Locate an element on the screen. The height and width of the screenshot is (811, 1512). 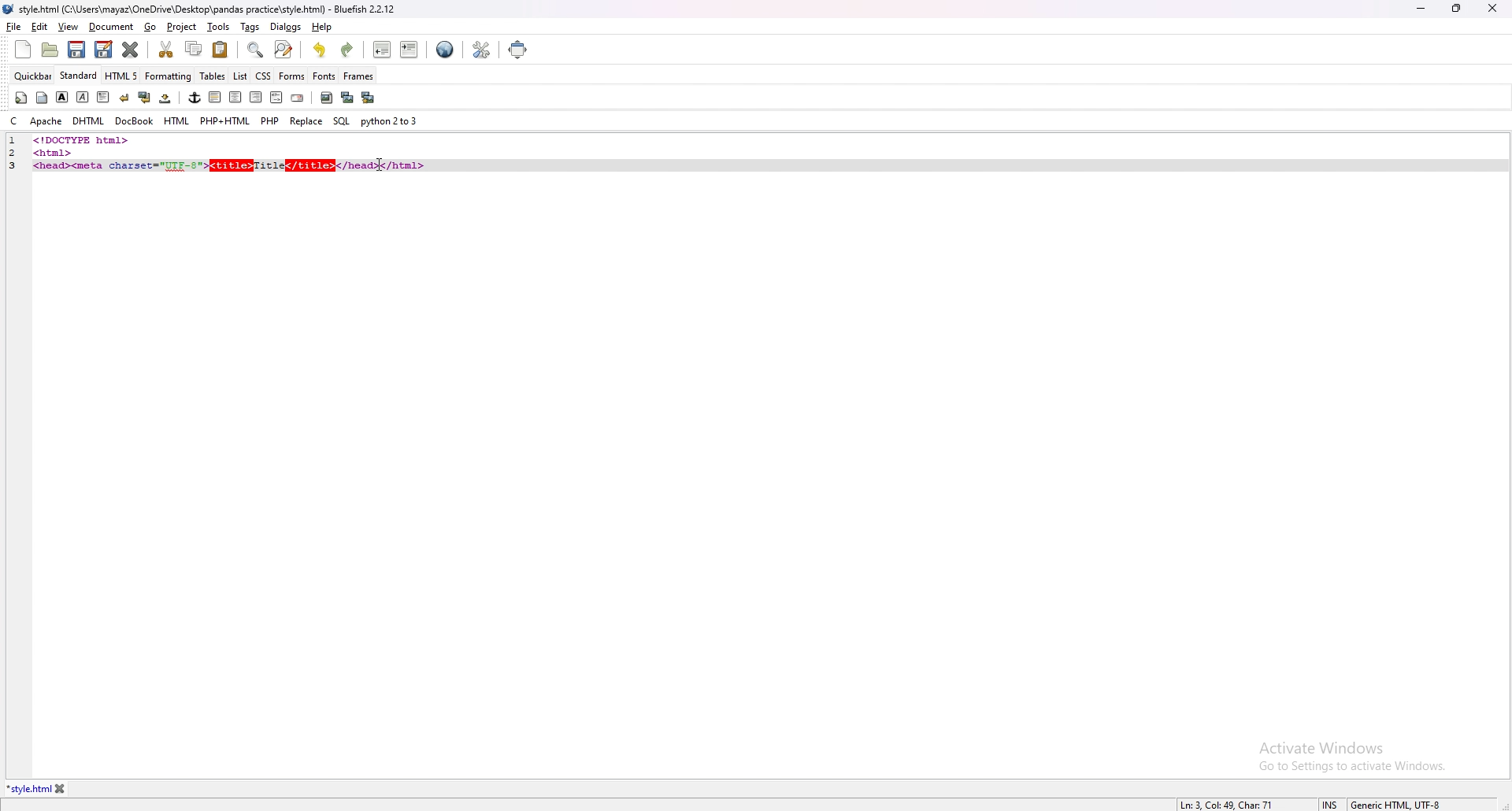
open is located at coordinates (52, 50).